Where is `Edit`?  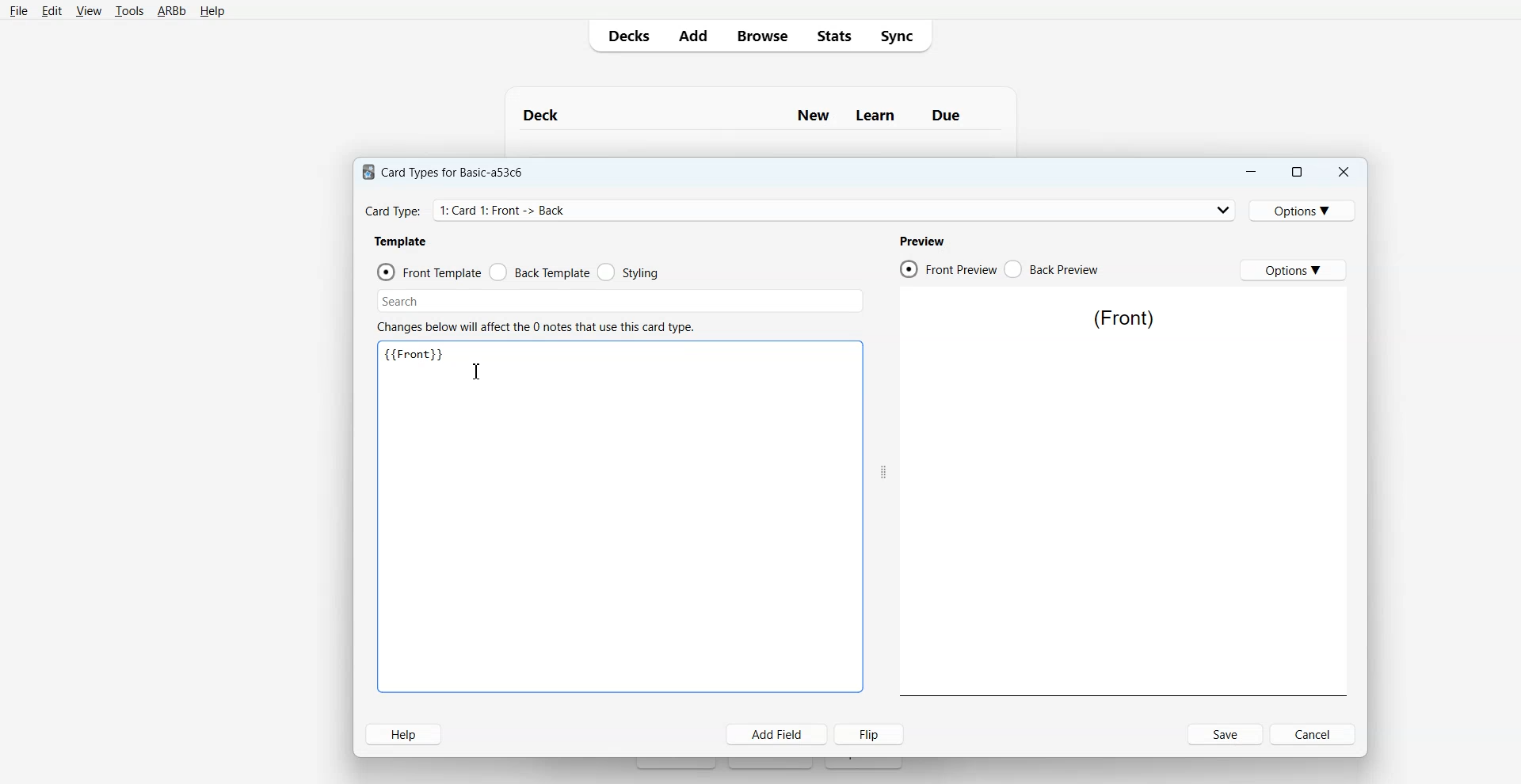
Edit is located at coordinates (52, 11).